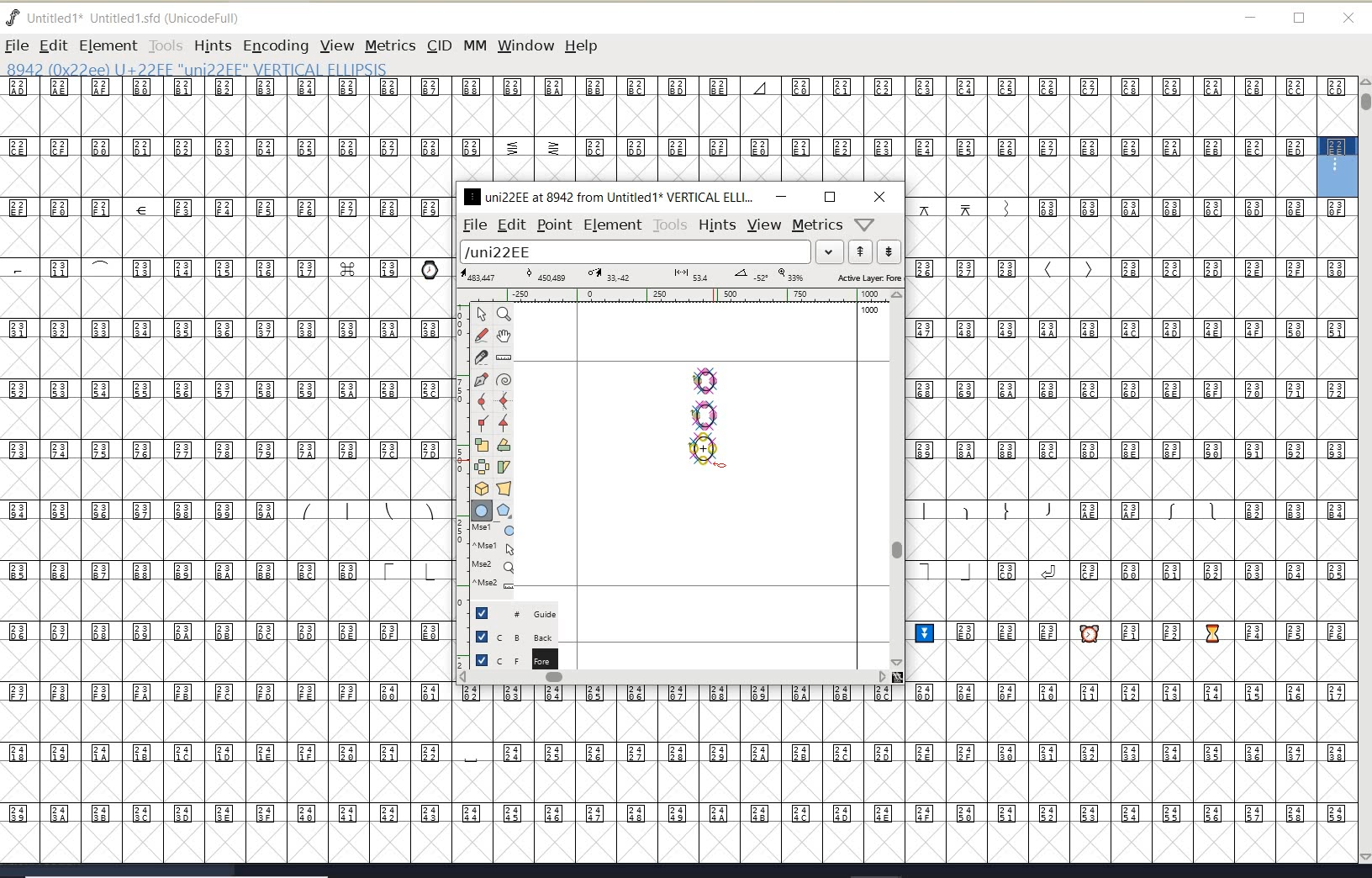 This screenshot has height=878, width=1372. What do you see at coordinates (504, 357) in the screenshot?
I see `measure distance, angle between points` at bounding box center [504, 357].